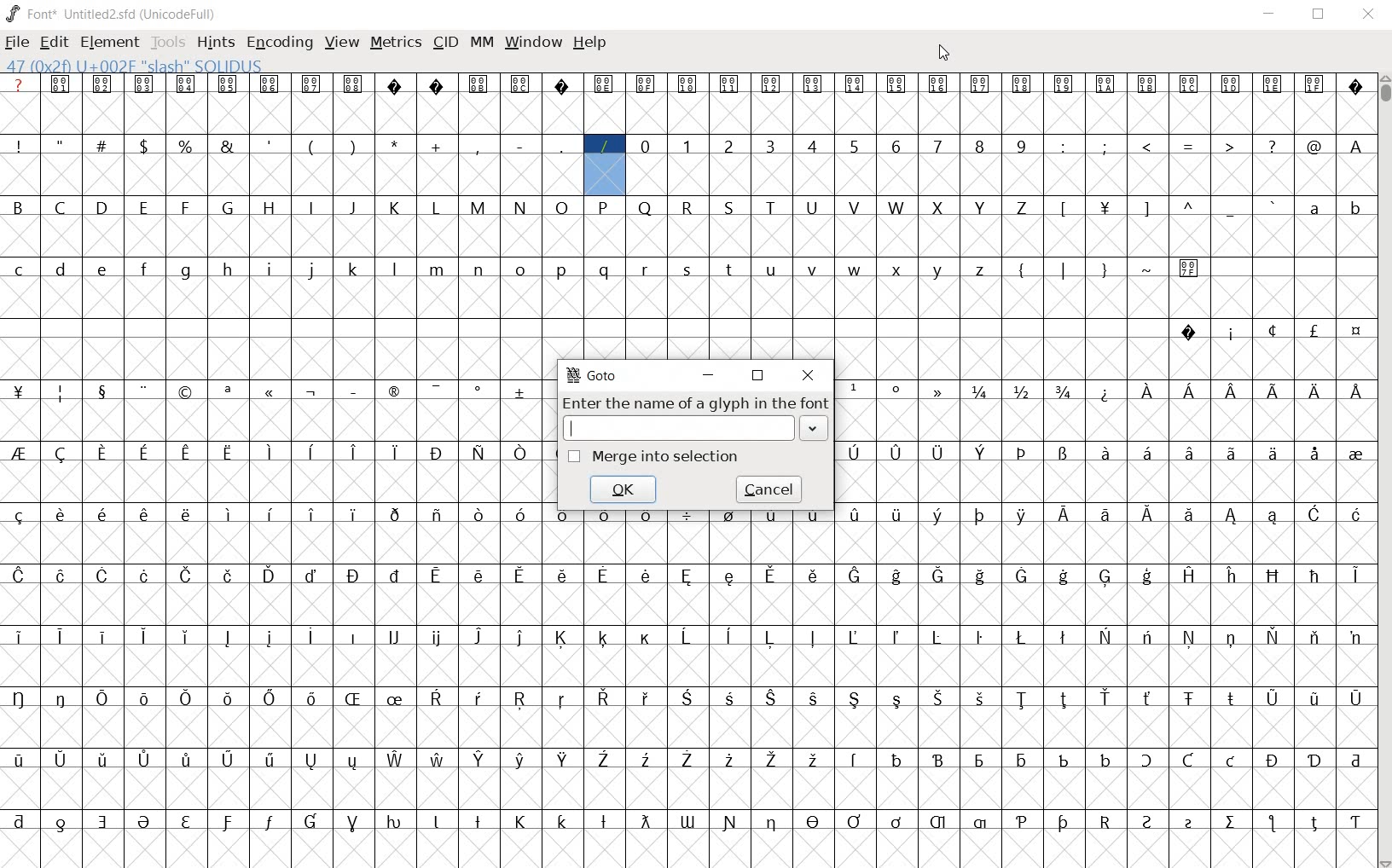 The image size is (1392, 868). Describe the element at coordinates (687, 516) in the screenshot. I see `glyph` at that location.